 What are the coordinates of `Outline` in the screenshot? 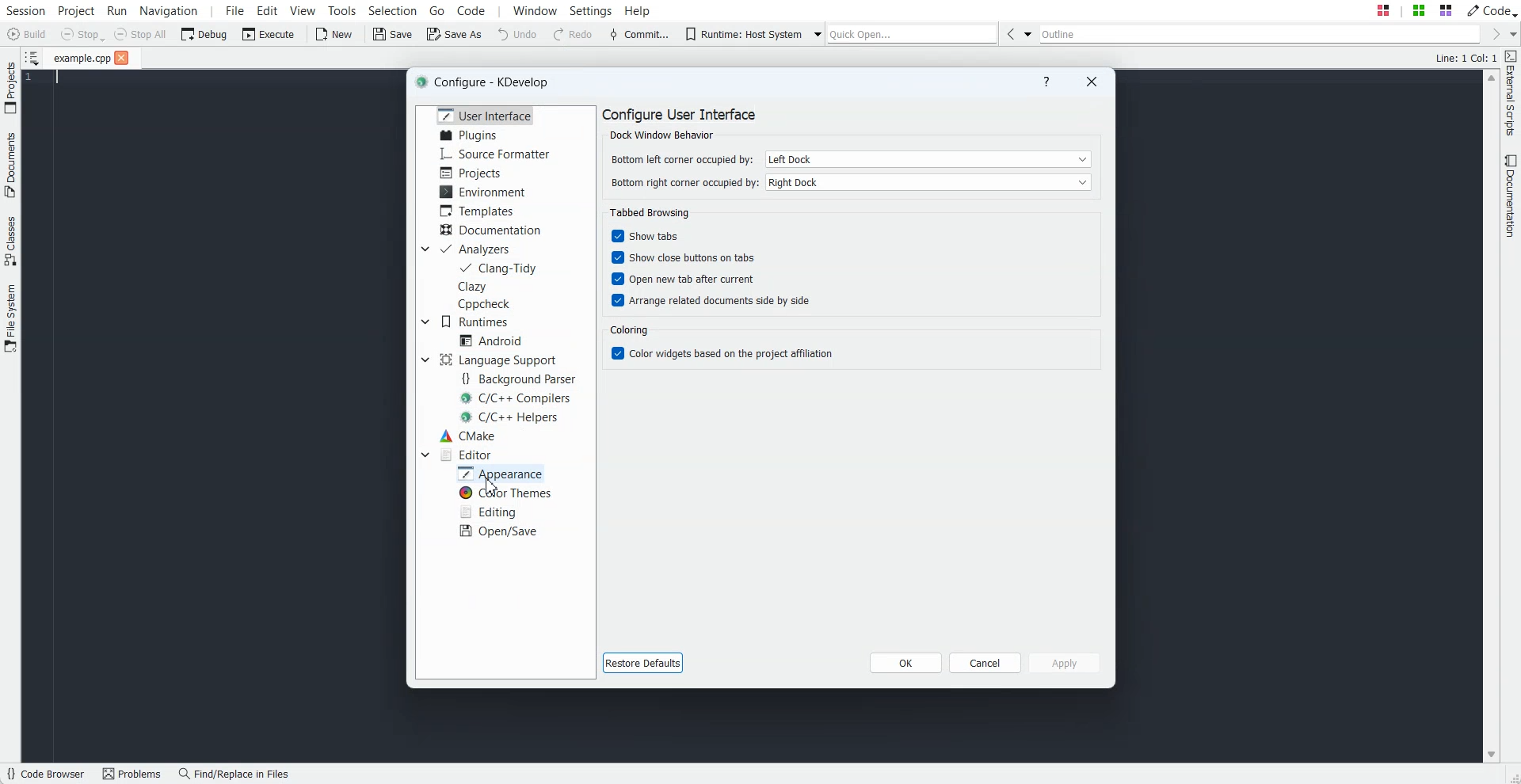 It's located at (1259, 33).